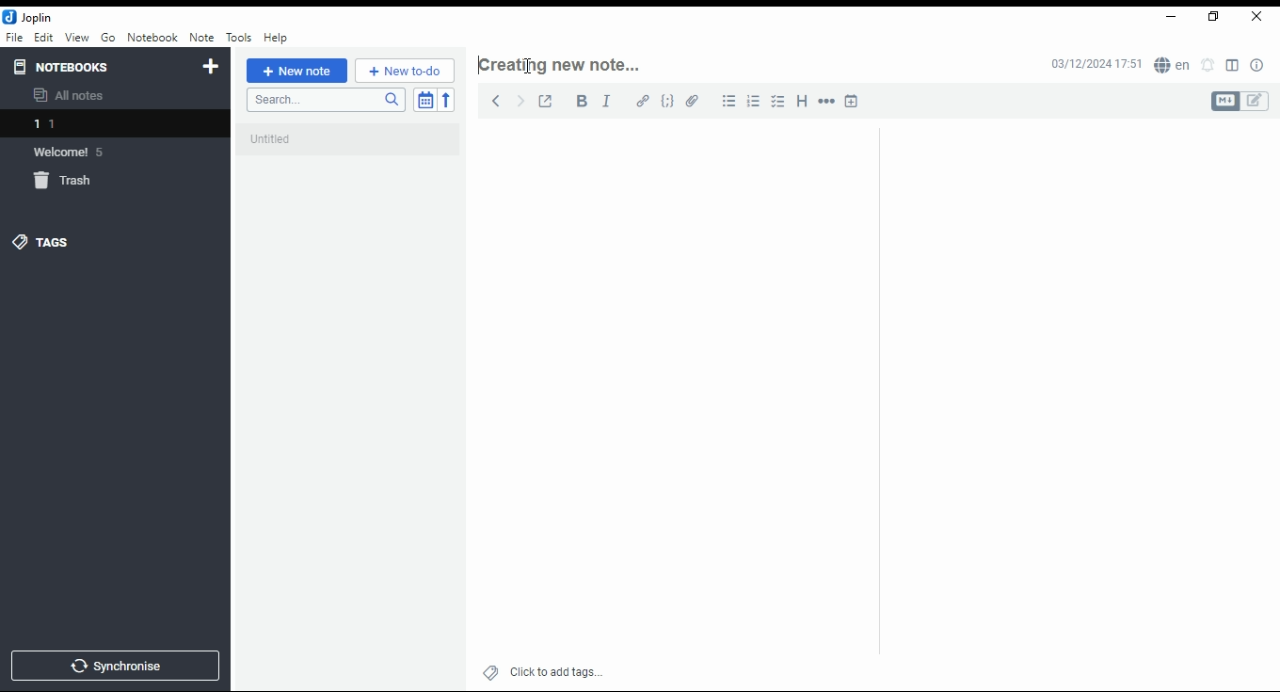 Image resolution: width=1280 pixels, height=692 pixels. I want to click on notebooks, so click(66, 66).